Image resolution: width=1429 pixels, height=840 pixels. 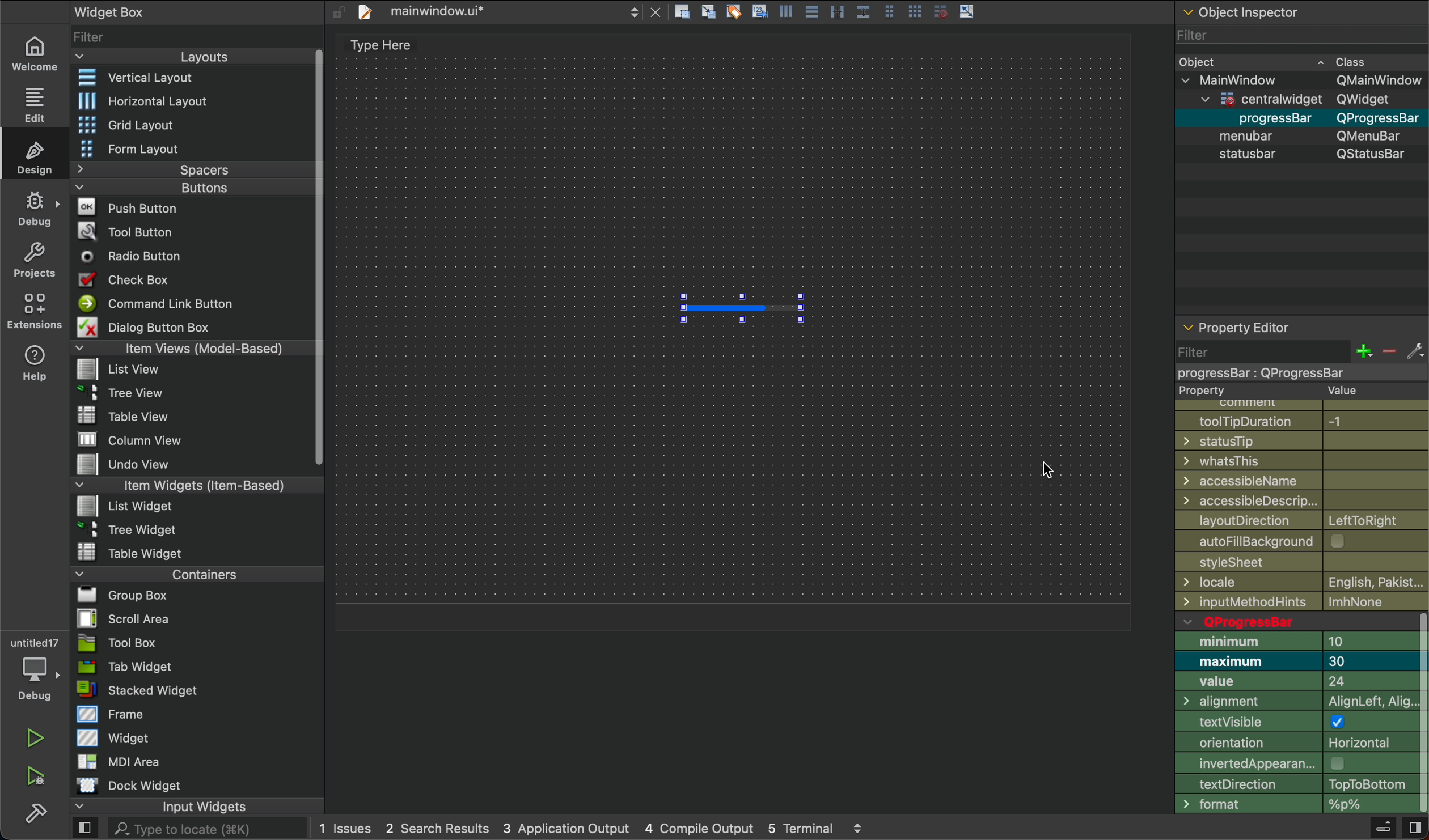 I want to click on Object Detail, so click(x=1300, y=107).